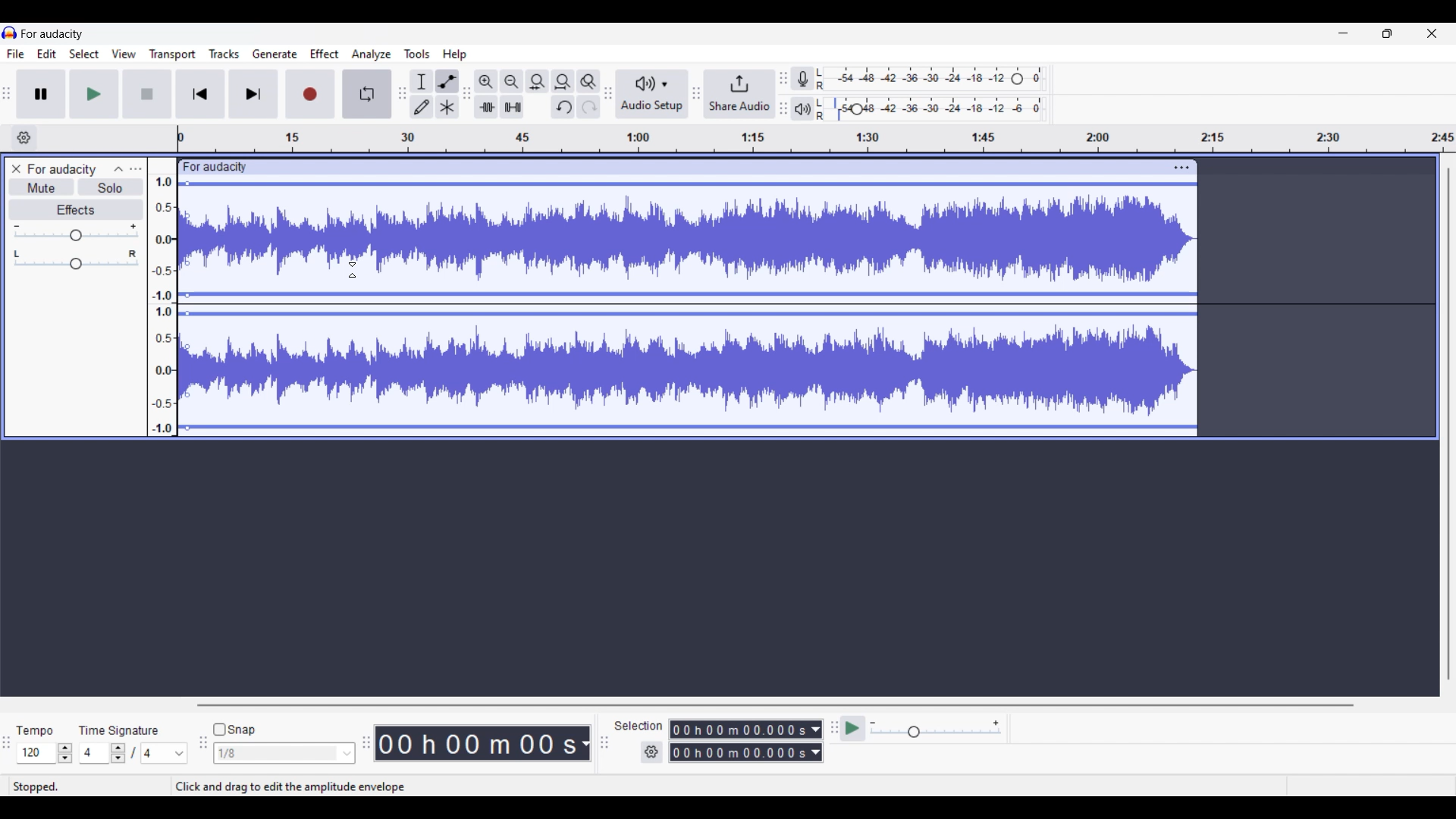  Describe the element at coordinates (802, 108) in the screenshot. I see `Playback meter` at that location.